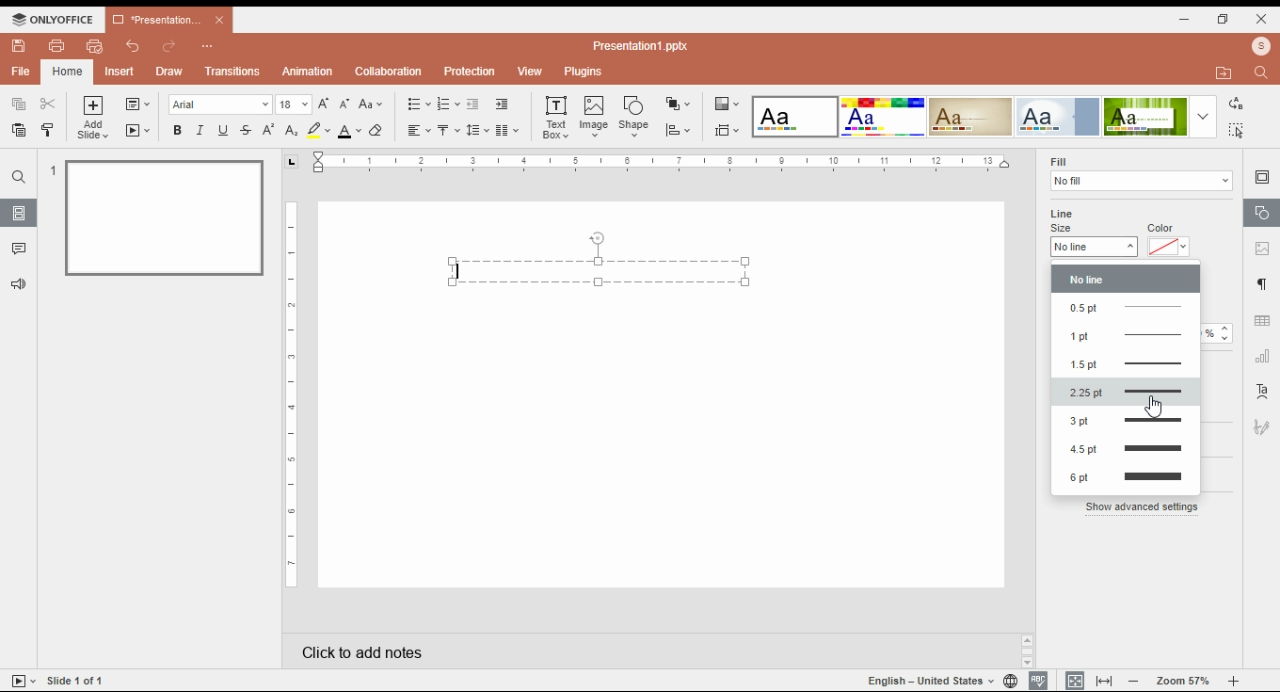 Image resolution: width=1280 pixels, height=692 pixels. Describe the element at coordinates (1264, 427) in the screenshot. I see `signature settings` at that location.